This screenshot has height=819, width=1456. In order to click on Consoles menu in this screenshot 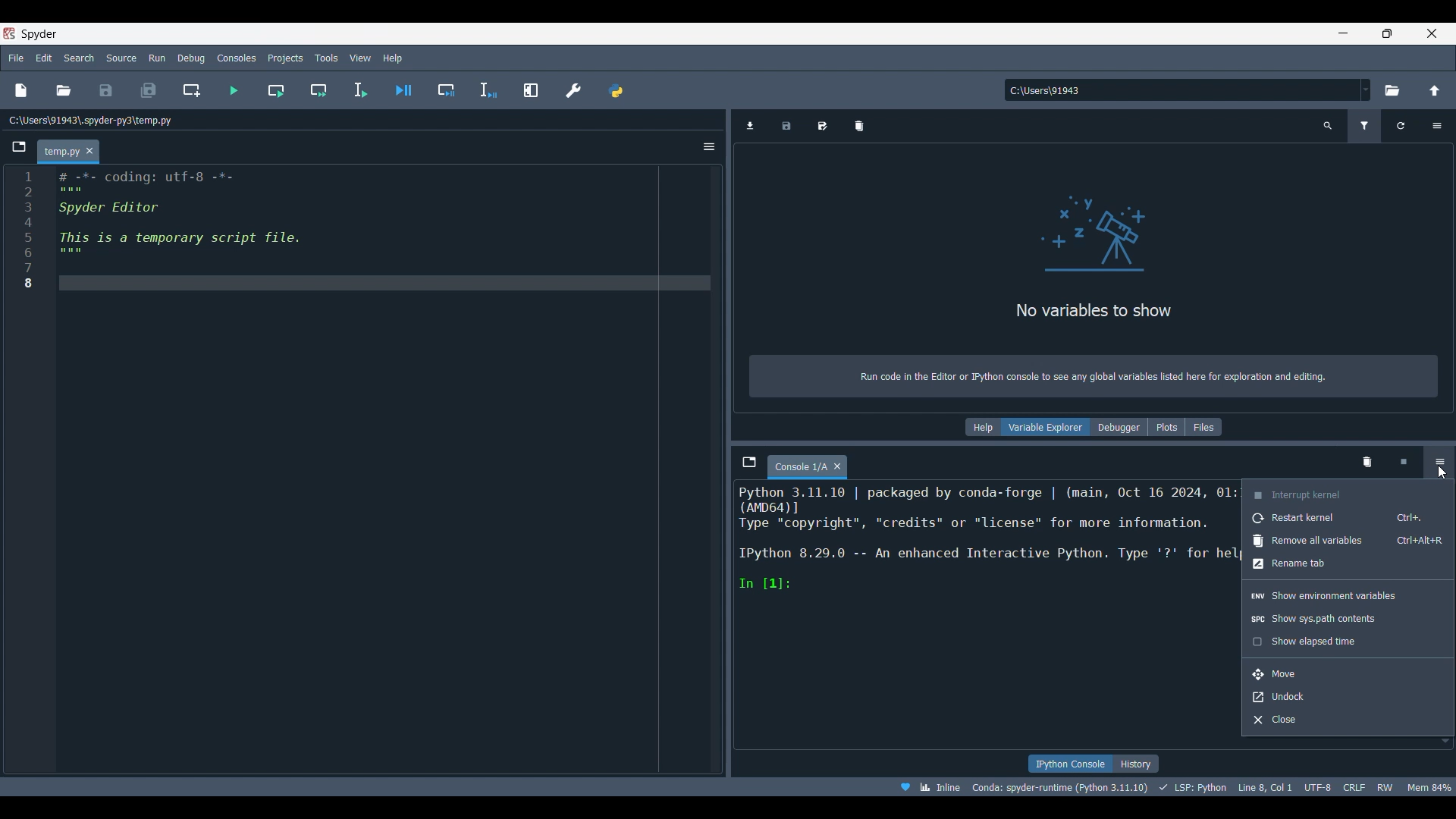, I will do `click(237, 57)`.